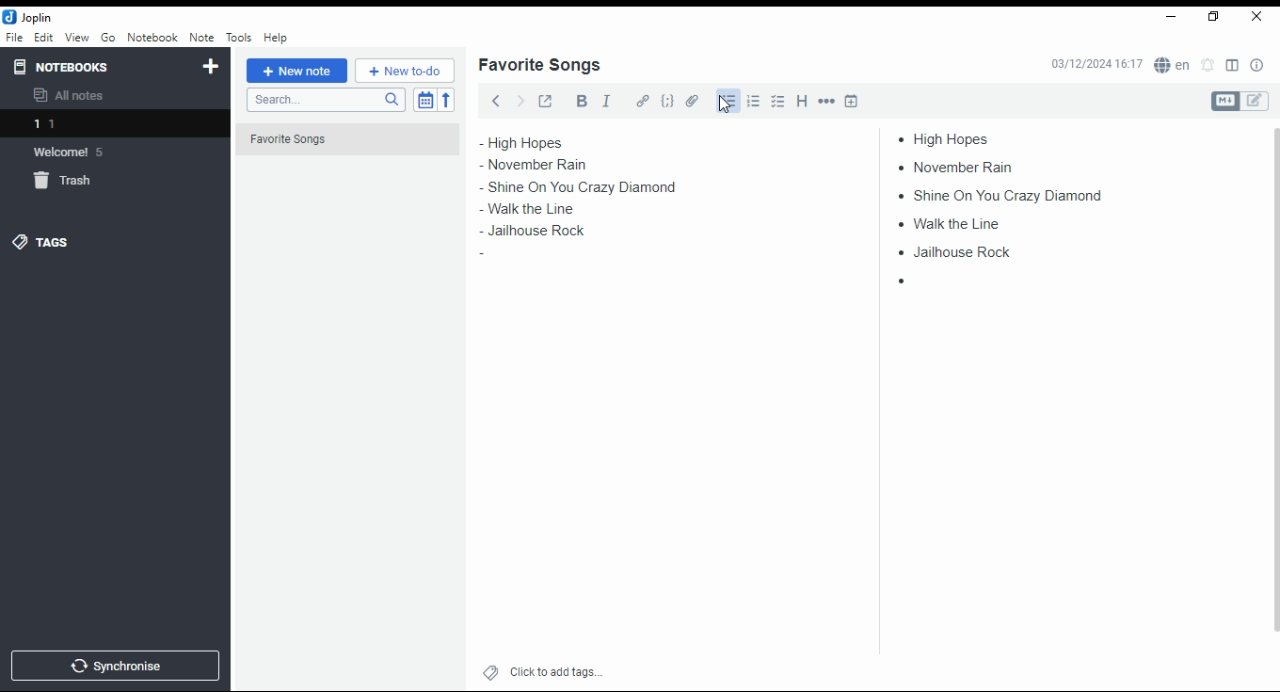 The height and width of the screenshot is (692, 1280). What do you see at coordinates (952, 222) in the screenshot?
I see `walk ta line` at bounding box center [952, 222].